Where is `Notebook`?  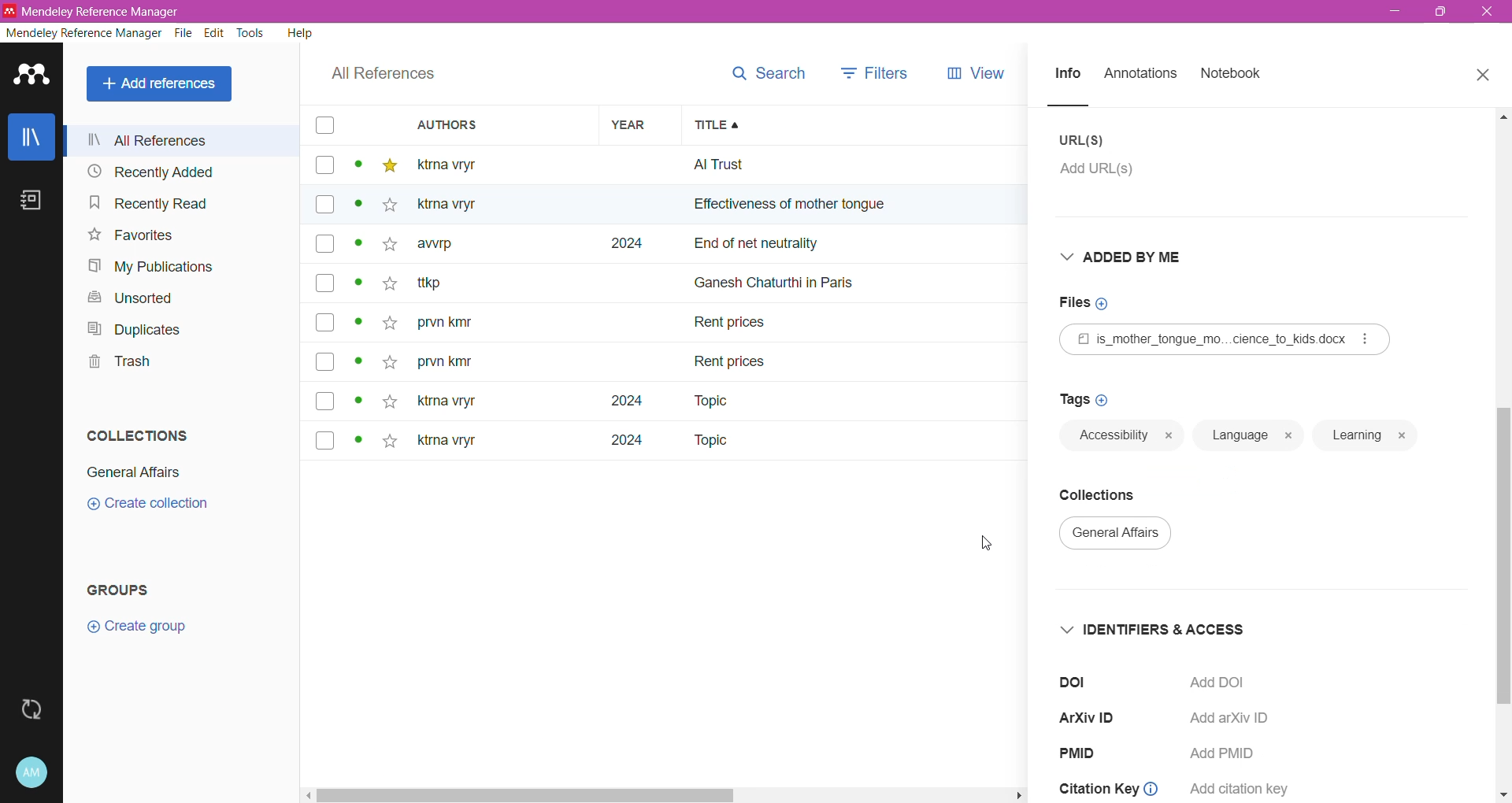
Notebook is located at coordinates (1232, 74).